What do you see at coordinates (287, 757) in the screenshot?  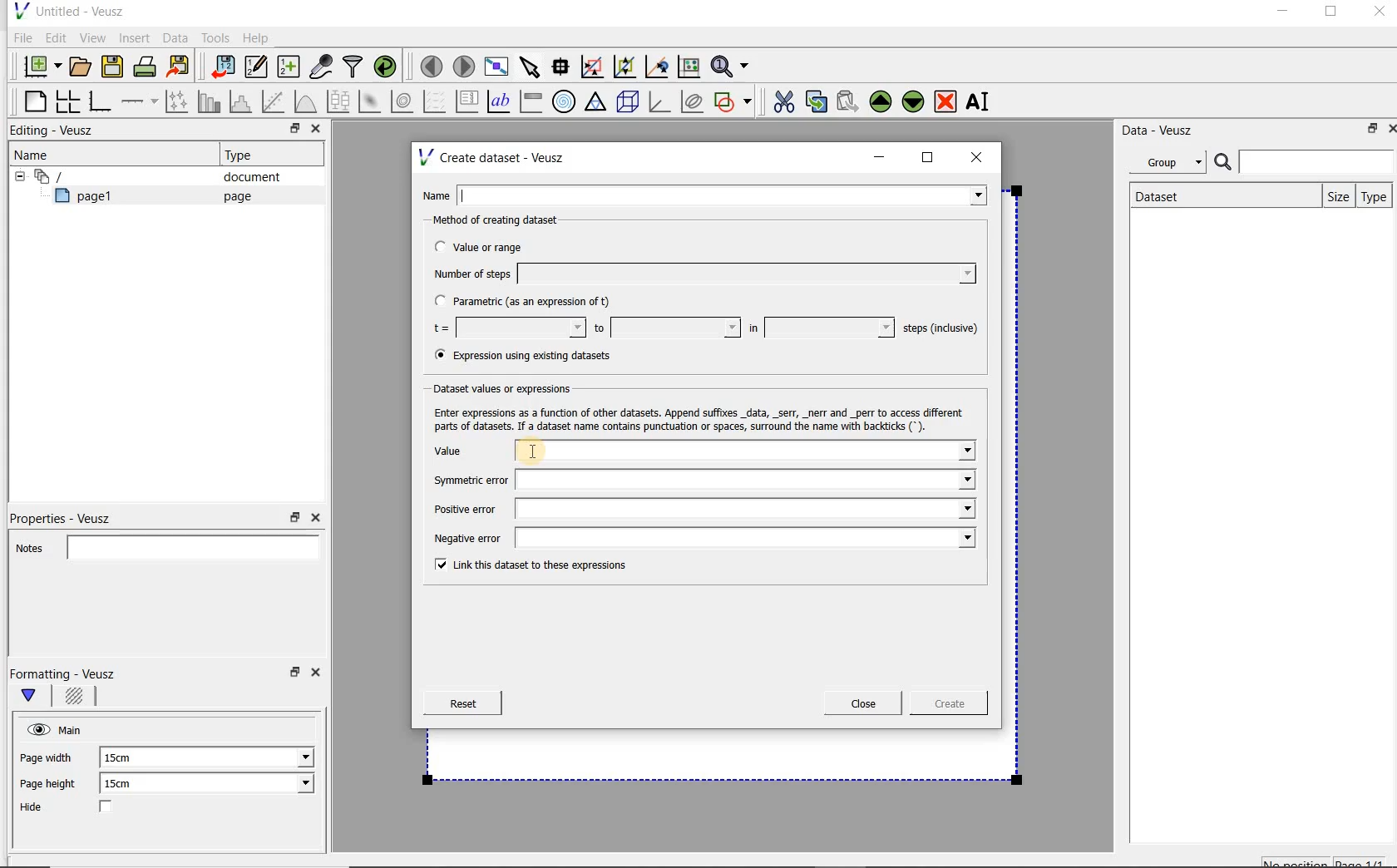 I see `Page width dropdown` at bounding box center [287, 757].